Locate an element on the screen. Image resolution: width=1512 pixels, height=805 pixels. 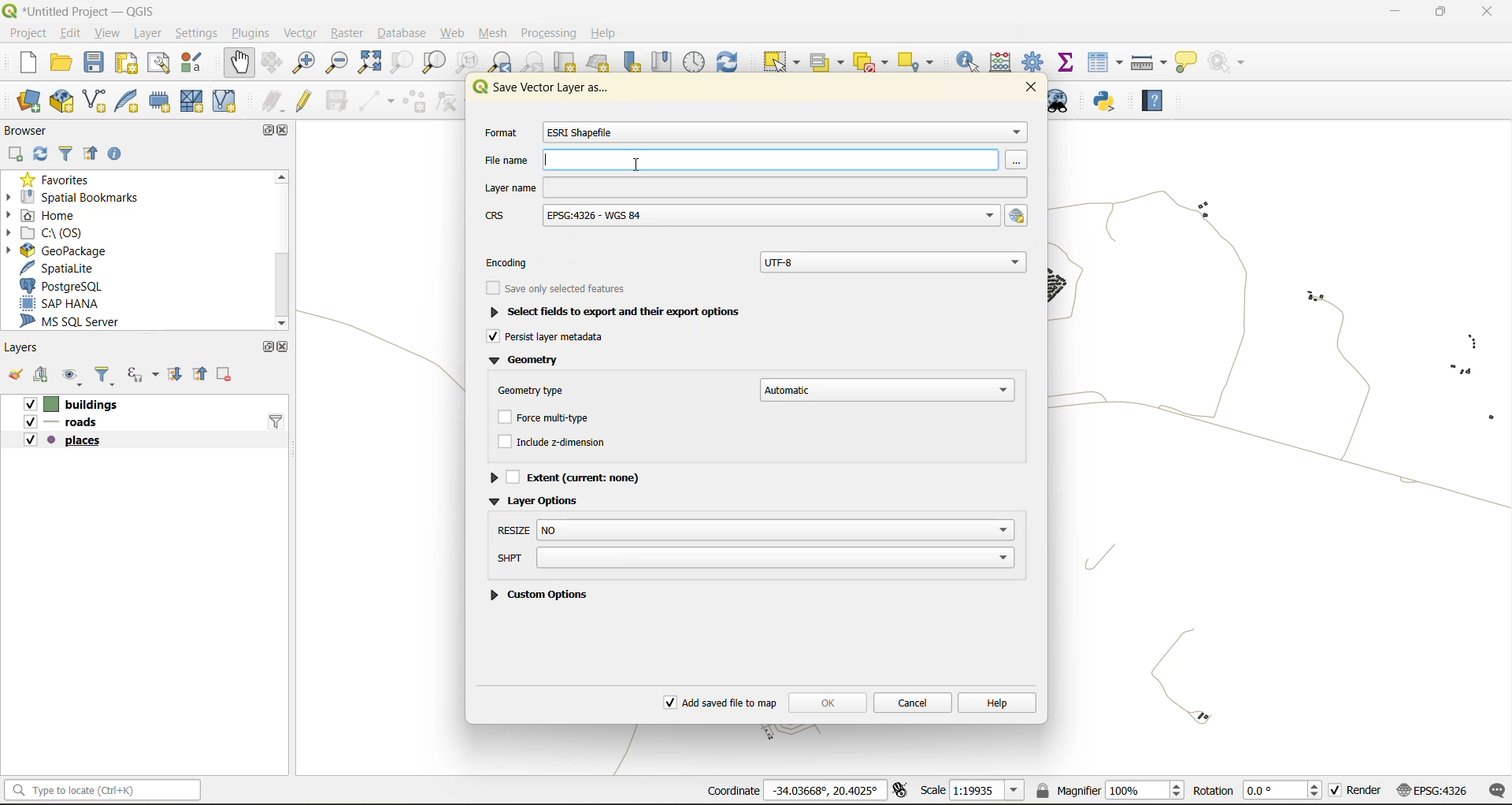
collapse all is located at coordinates (91, 154).